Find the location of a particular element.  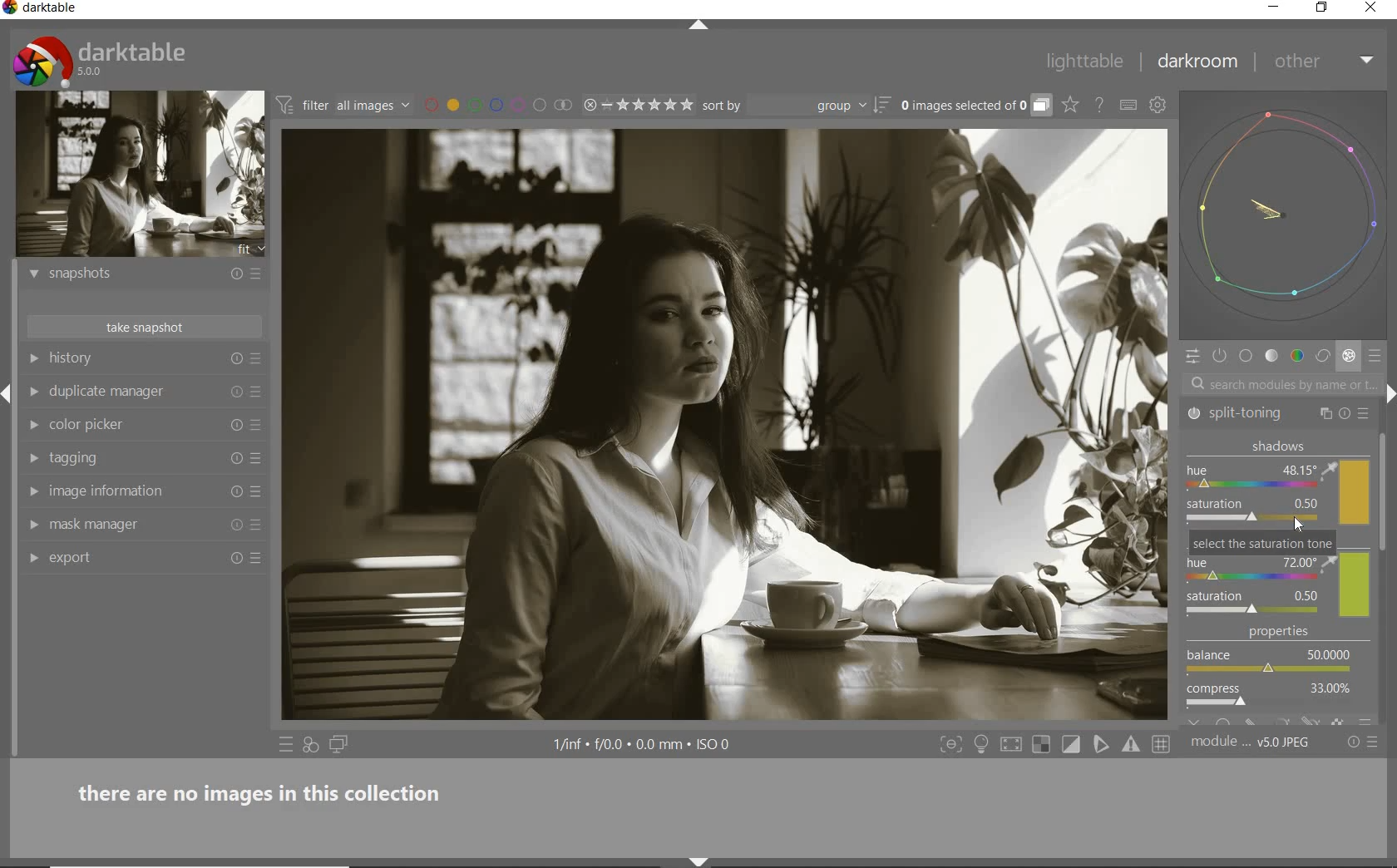

cursor position is located at coordinates (1299, 525).